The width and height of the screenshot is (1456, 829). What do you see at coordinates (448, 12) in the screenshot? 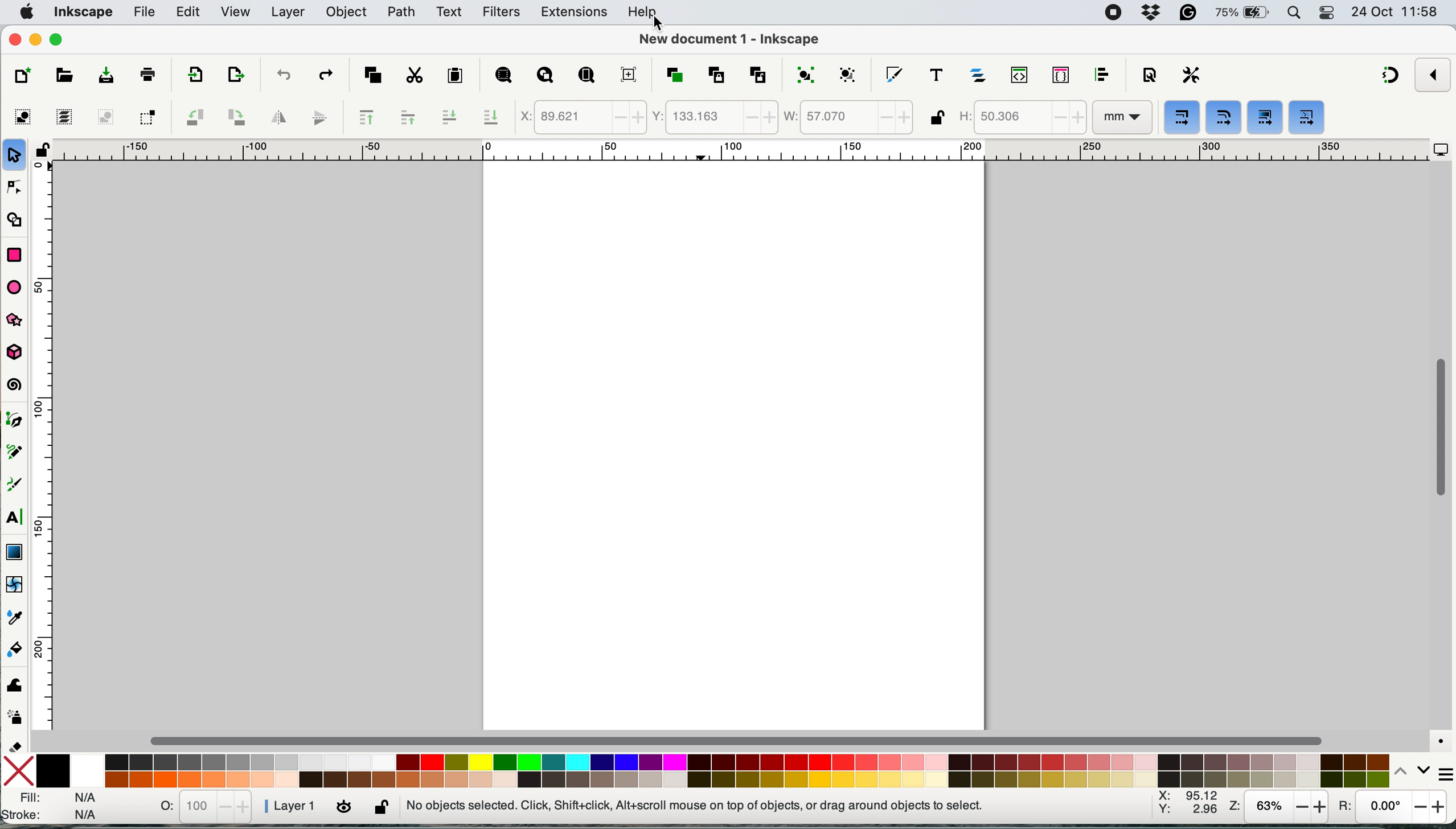
I see `text` at bounding box center [448, 12].